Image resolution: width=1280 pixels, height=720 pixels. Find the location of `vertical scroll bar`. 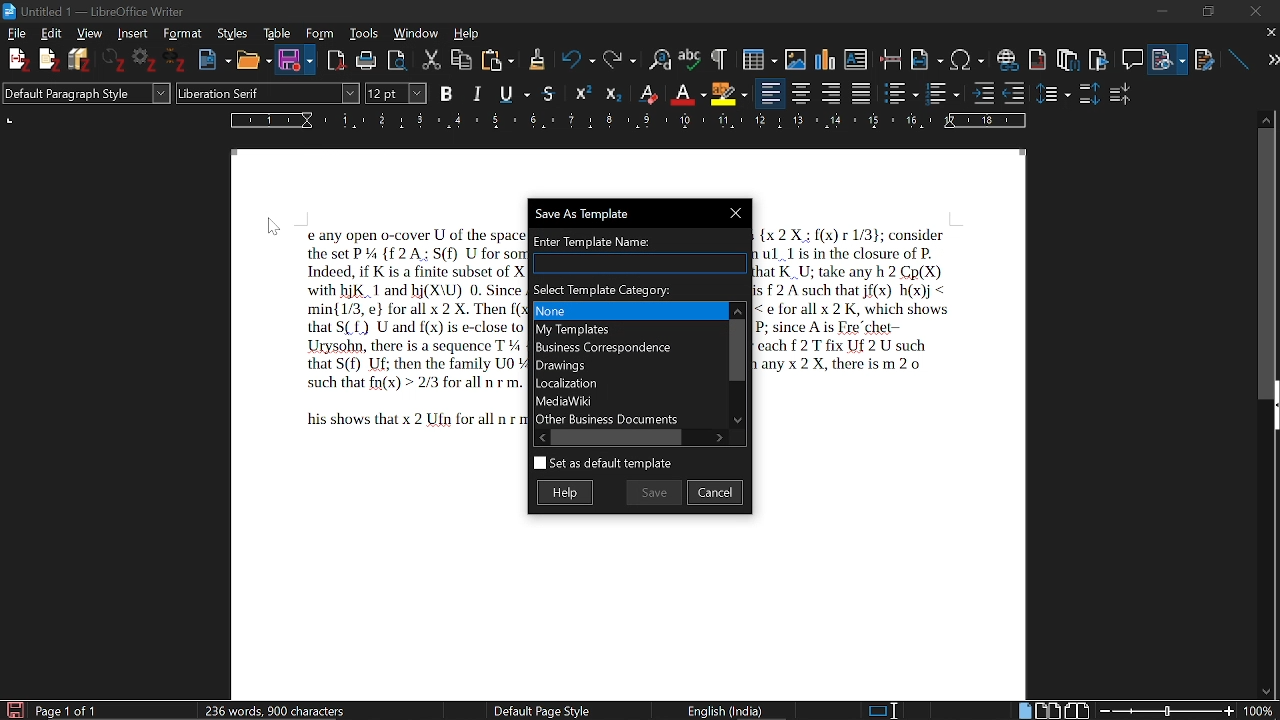

vertical scroll bar is located at coordinates (1267, 262).